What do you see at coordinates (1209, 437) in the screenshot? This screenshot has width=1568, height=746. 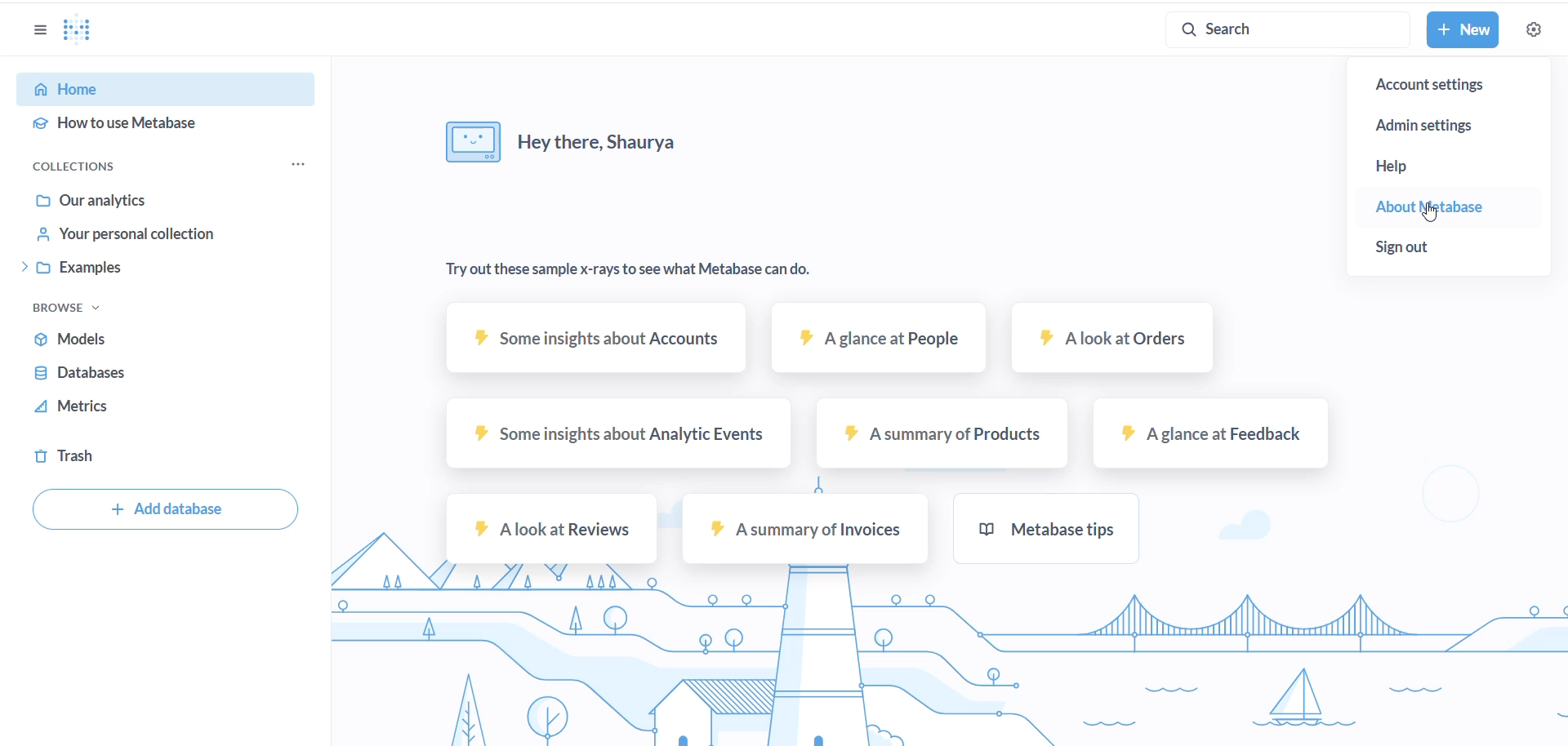 I see `A glance at feedback` at bounding box center [1209, 437].